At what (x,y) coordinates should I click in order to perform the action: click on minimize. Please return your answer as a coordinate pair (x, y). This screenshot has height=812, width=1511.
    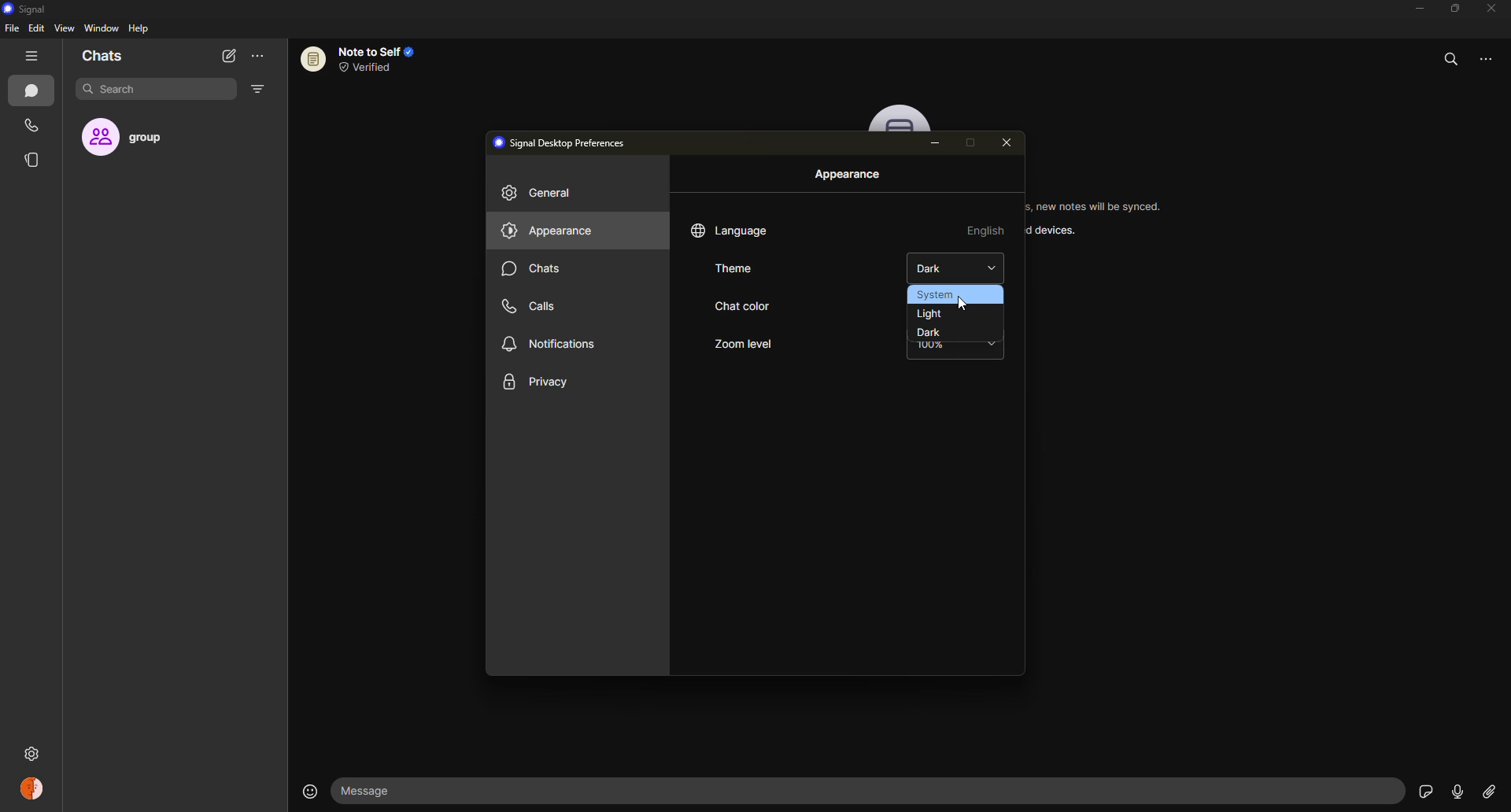
    Looking at the image, I should click on (1412, 10).